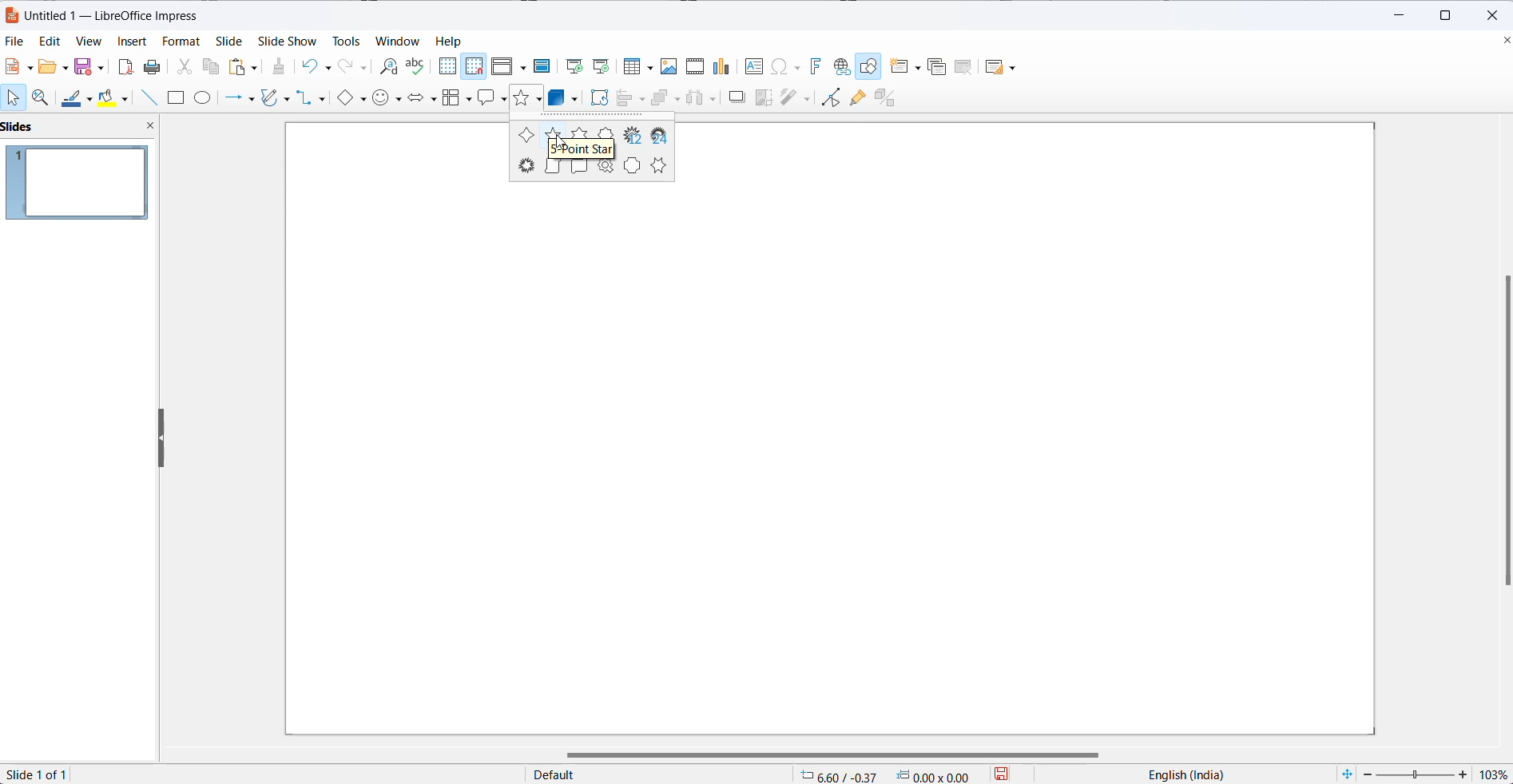 The image size is (1513, 784). Describe the element at coordinates (738, 98) in the screenshot. I see `shadow` at that location.